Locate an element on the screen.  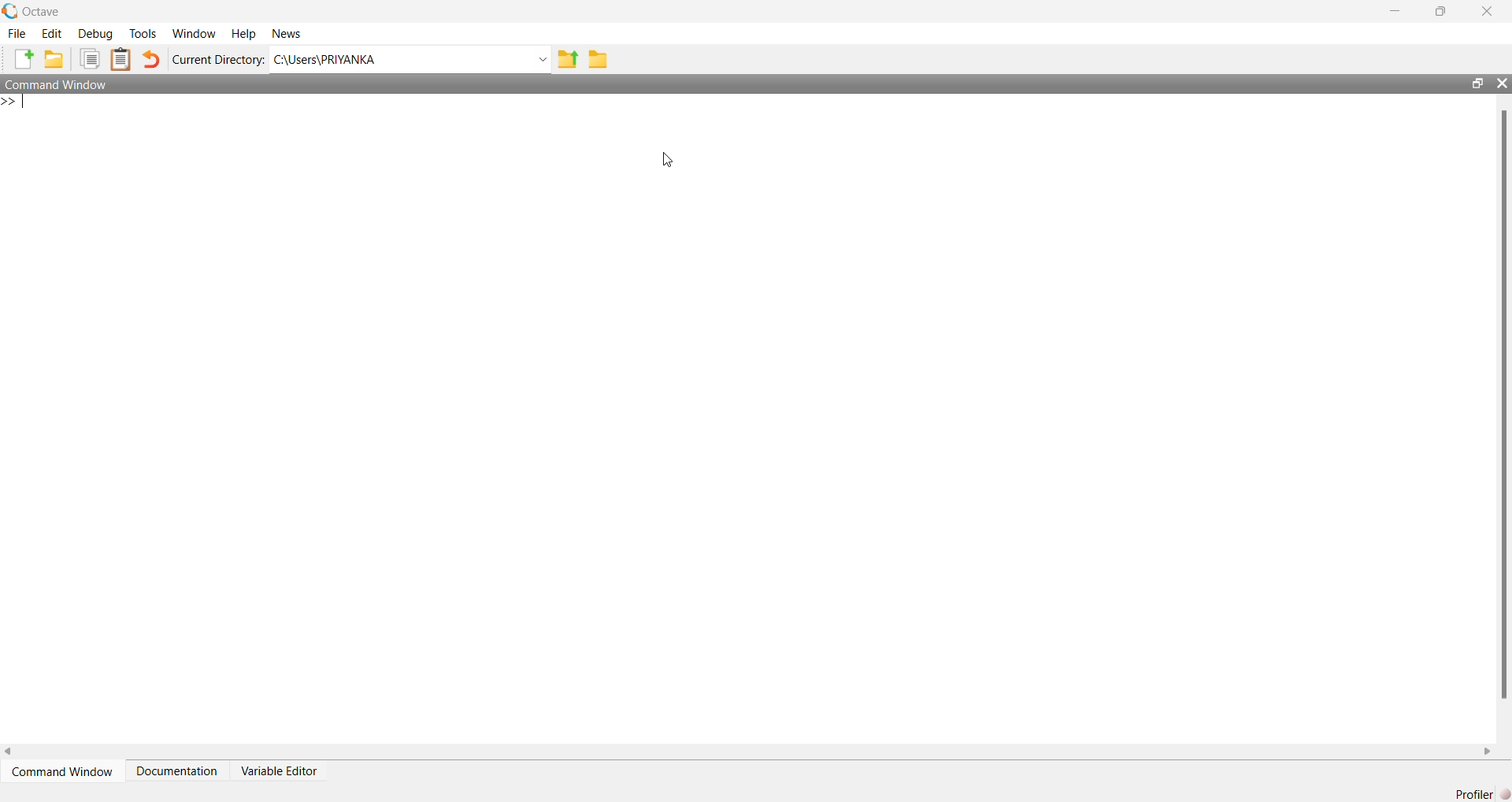
Help is located at coordinates (243, 35).